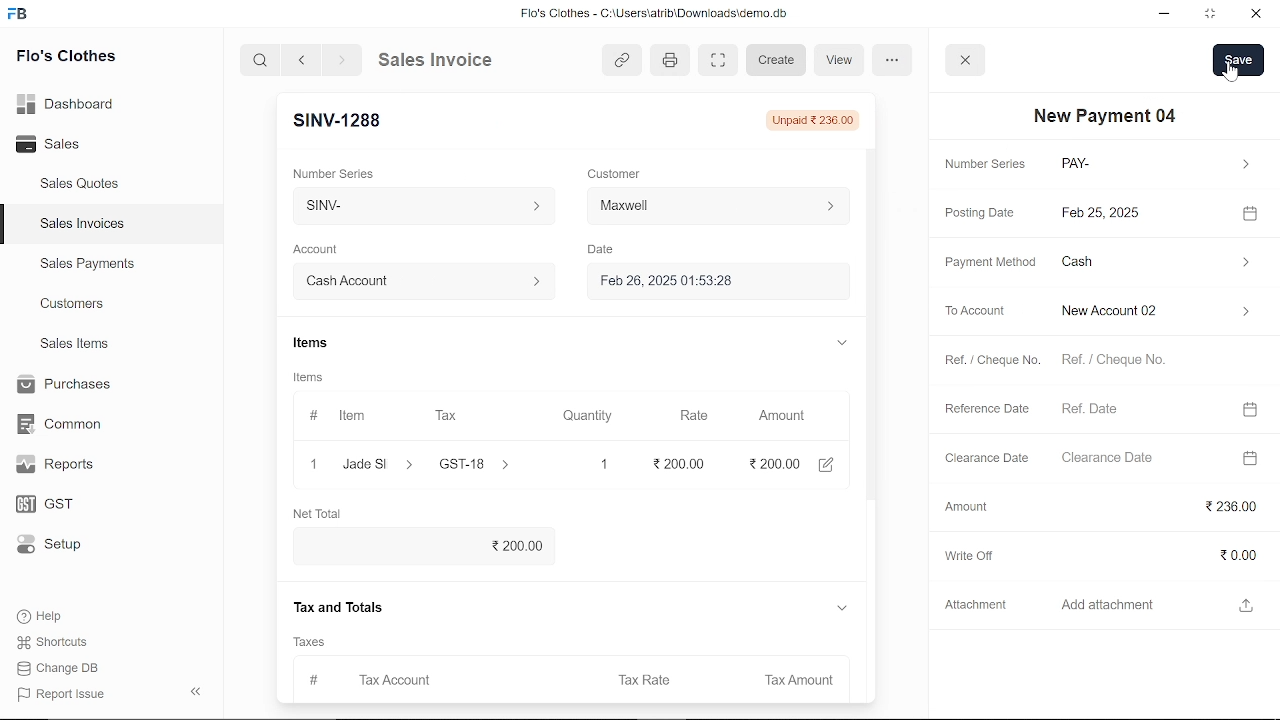 Image resolution: width=1280 pixels, height=720 pixels. I want to click on 200.00, so click(424, 542).